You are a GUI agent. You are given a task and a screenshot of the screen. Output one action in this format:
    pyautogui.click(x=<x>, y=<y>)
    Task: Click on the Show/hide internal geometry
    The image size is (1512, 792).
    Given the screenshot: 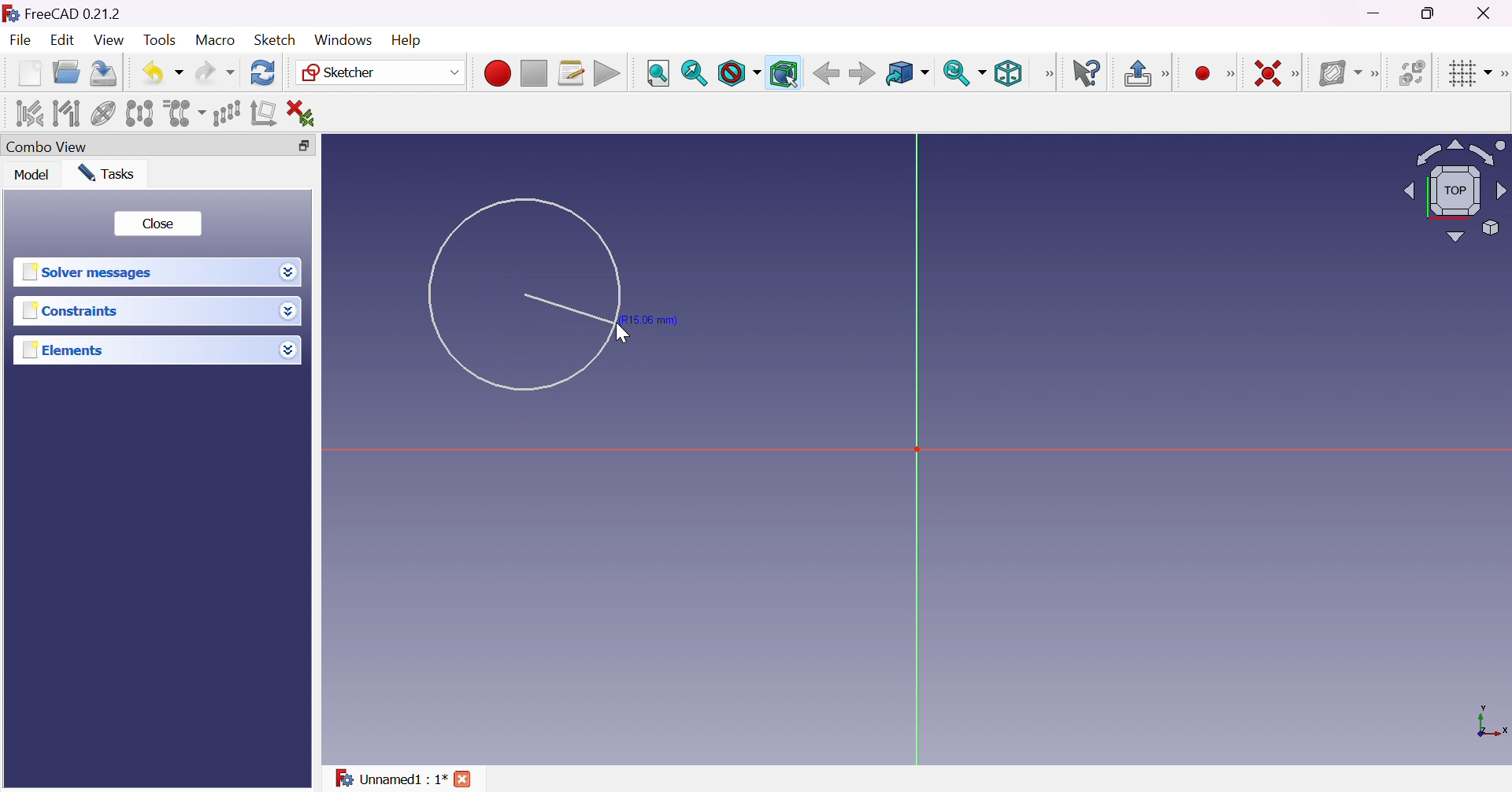 What is the action you would take?
    pyautogui.click(x=105, y=115)
    